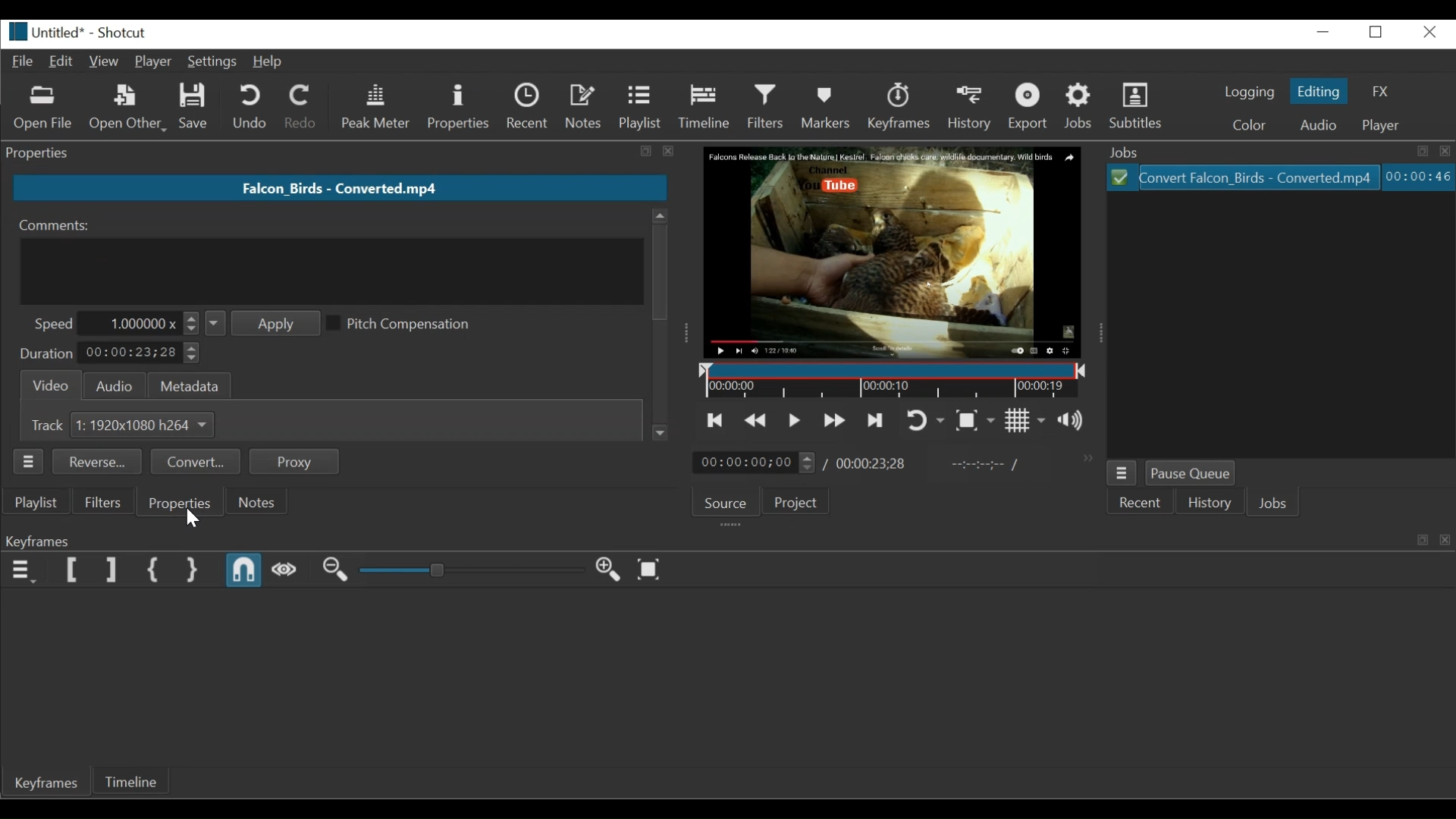 The height and width of the screenshot is (819, 1456). I want to click on Source, so click(726, 504).